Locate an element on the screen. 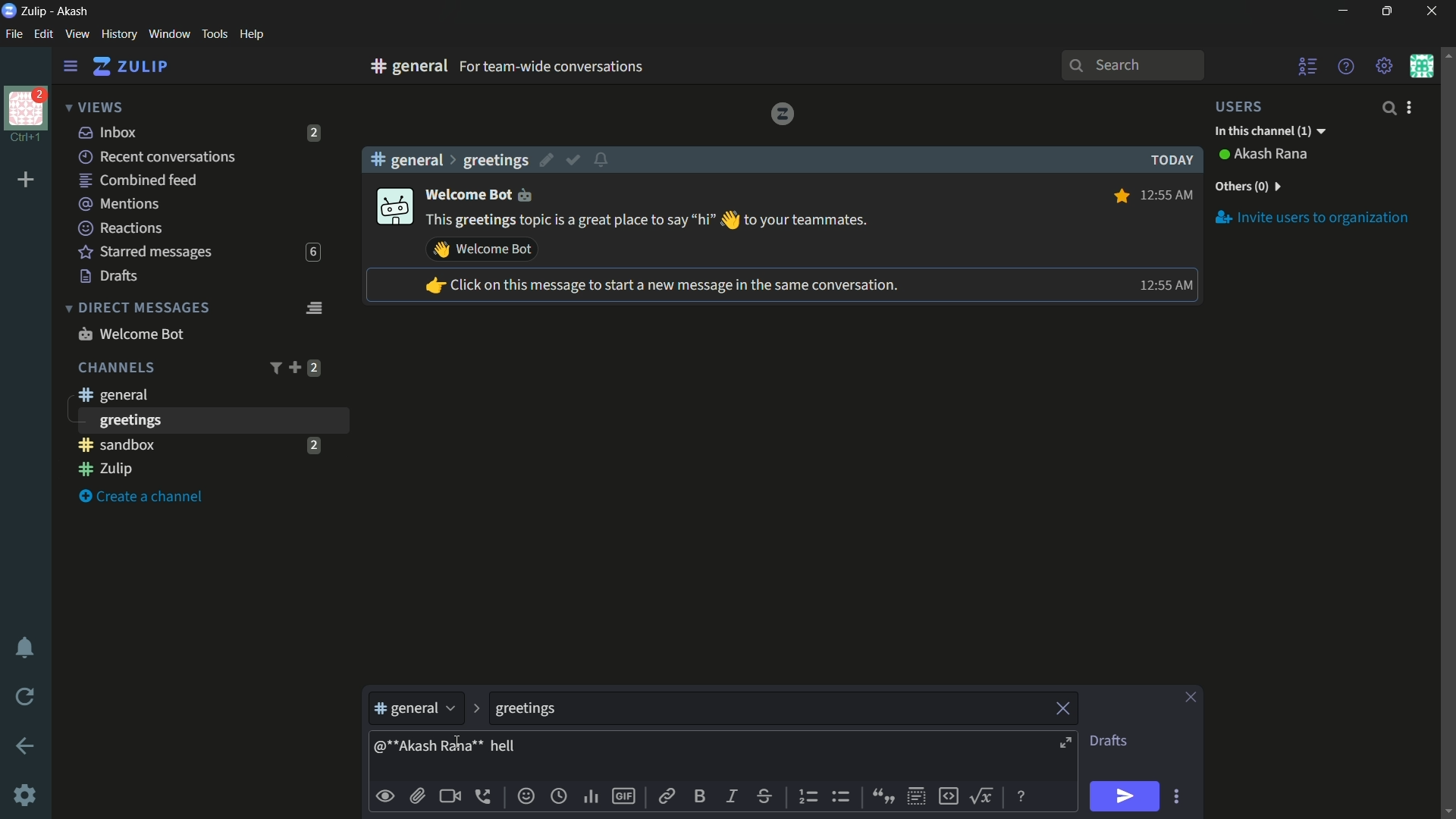  welcome bot is located at coordinates (484, 193).